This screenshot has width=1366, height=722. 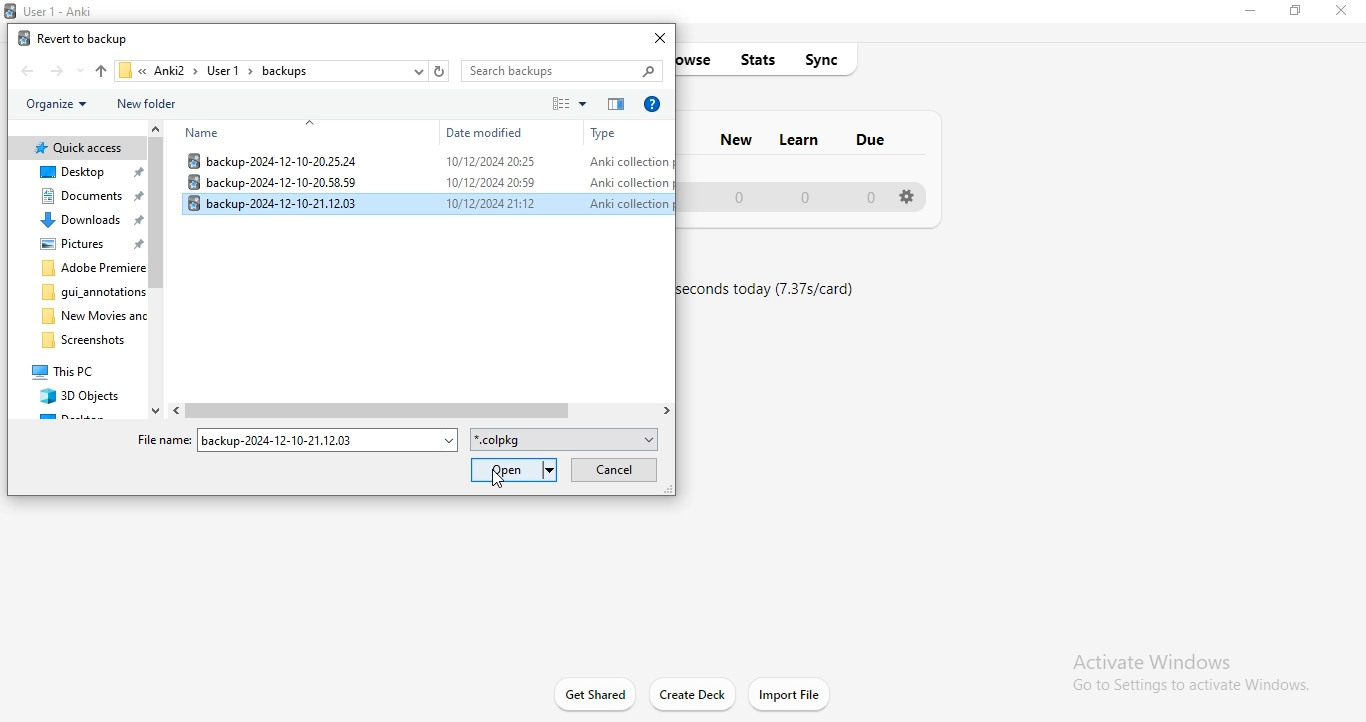 What do you see at coordinates (158, 270) in the screenshot?
I see `scroll bar` at bounding box center [158, 270].